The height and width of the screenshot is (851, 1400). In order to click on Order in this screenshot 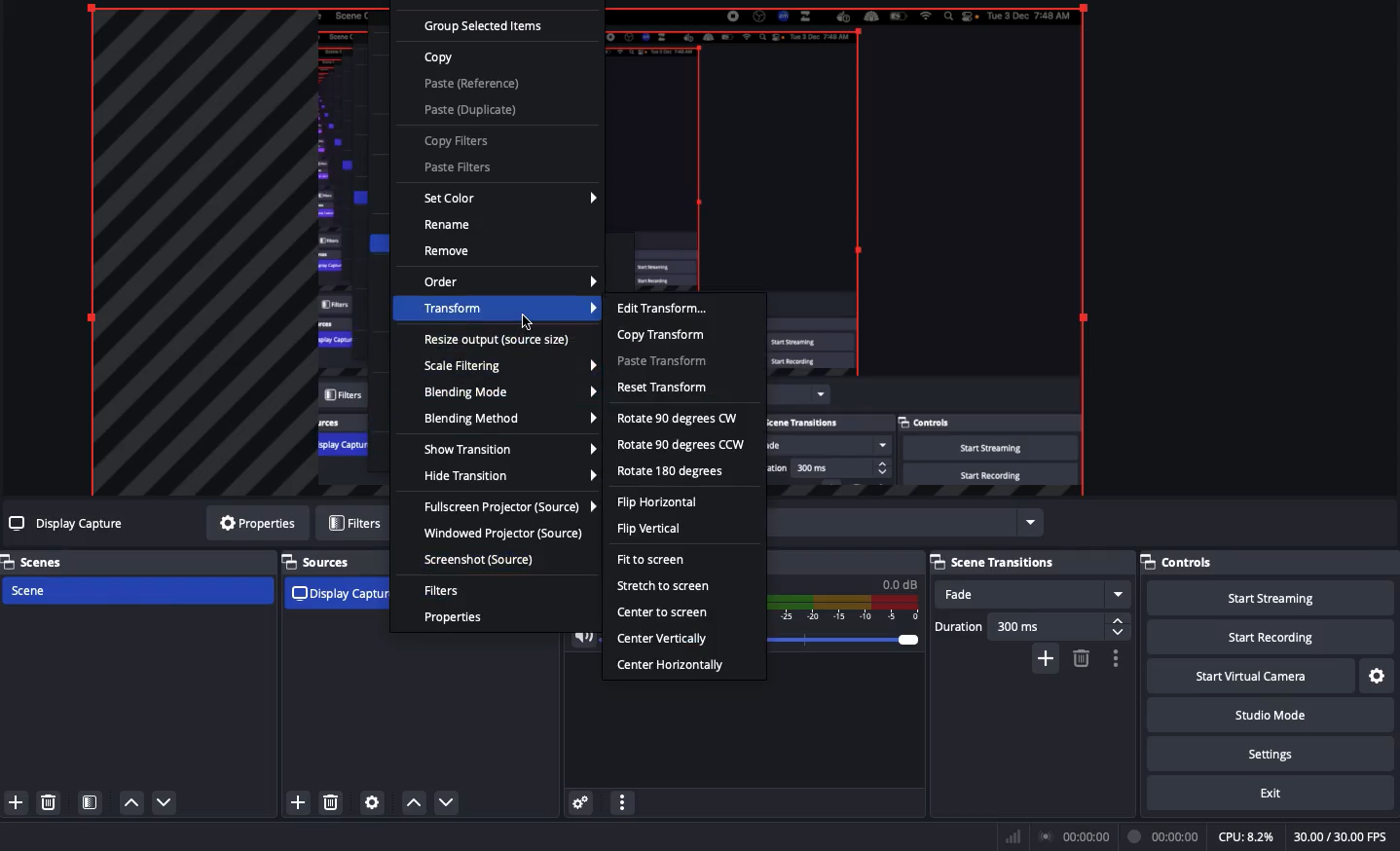, I will do `click(514, 282)`.